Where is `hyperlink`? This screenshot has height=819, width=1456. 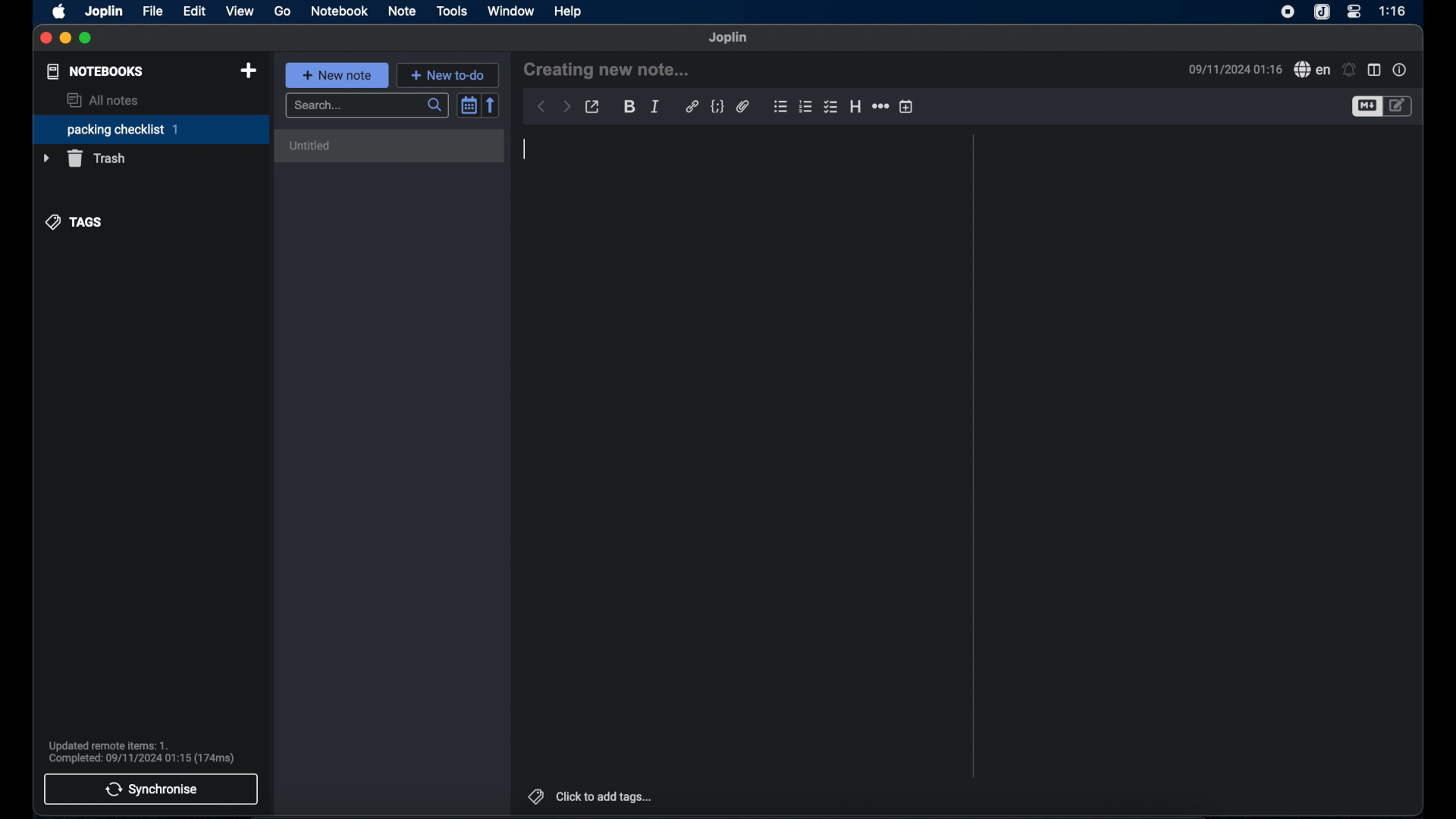
hyperlink is located at coordinates (692, 107).